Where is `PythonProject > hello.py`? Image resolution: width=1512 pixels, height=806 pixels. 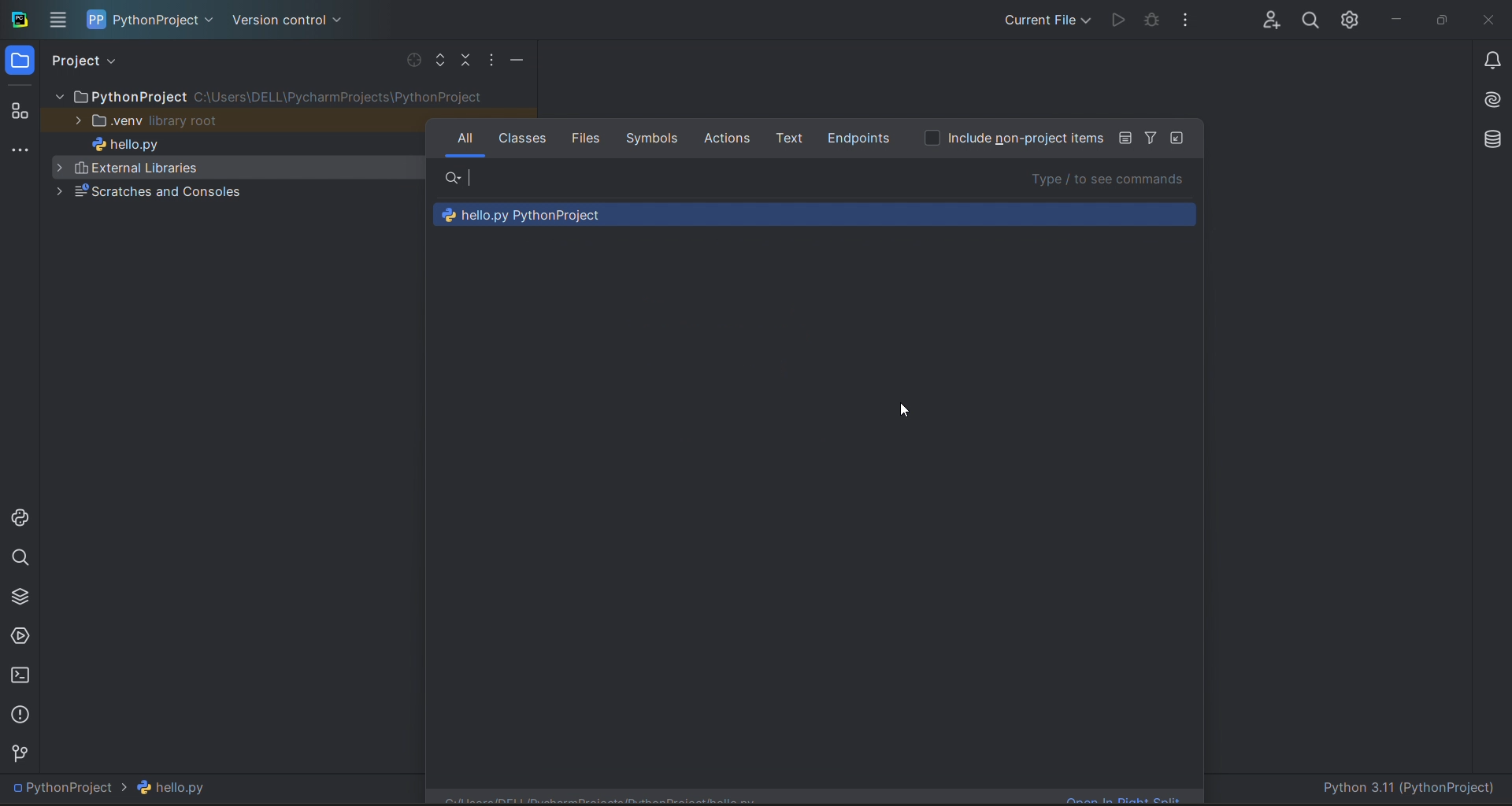 PythonProject > hello.py is located at coordinates (121, 788).